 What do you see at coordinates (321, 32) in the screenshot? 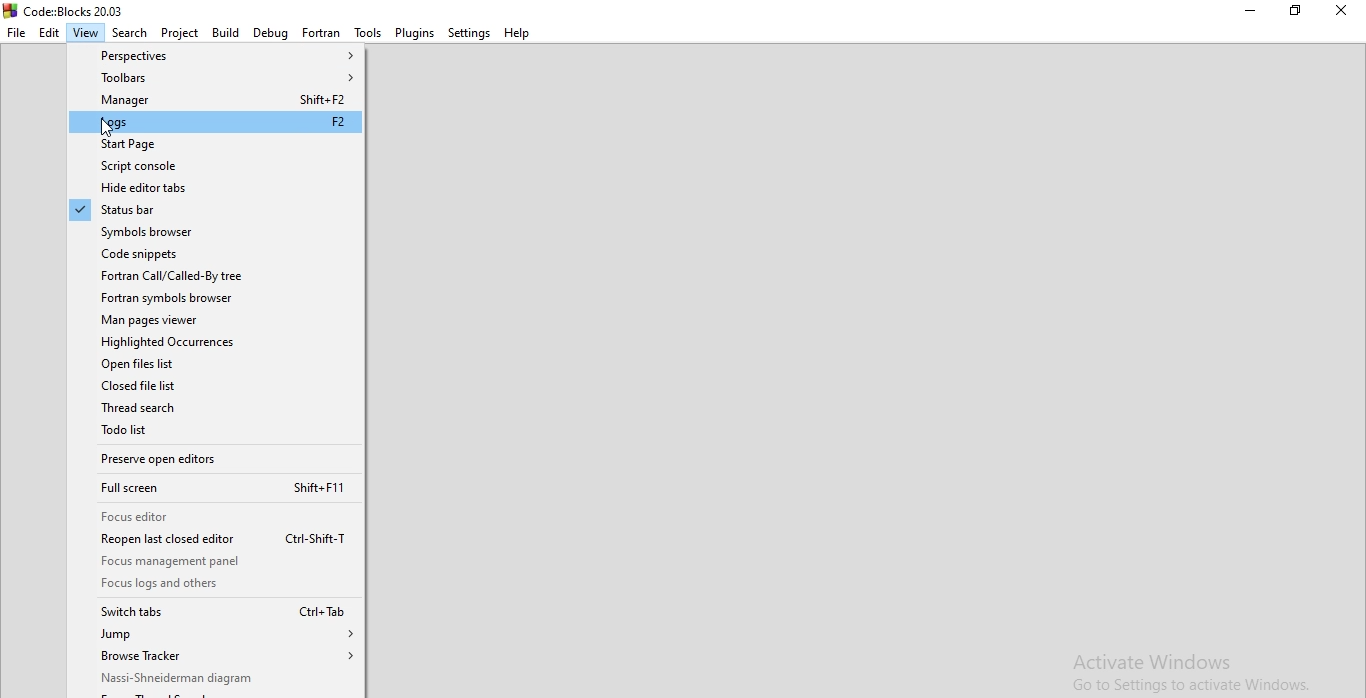
I see `Fortran` at bounding box center [321, 32].